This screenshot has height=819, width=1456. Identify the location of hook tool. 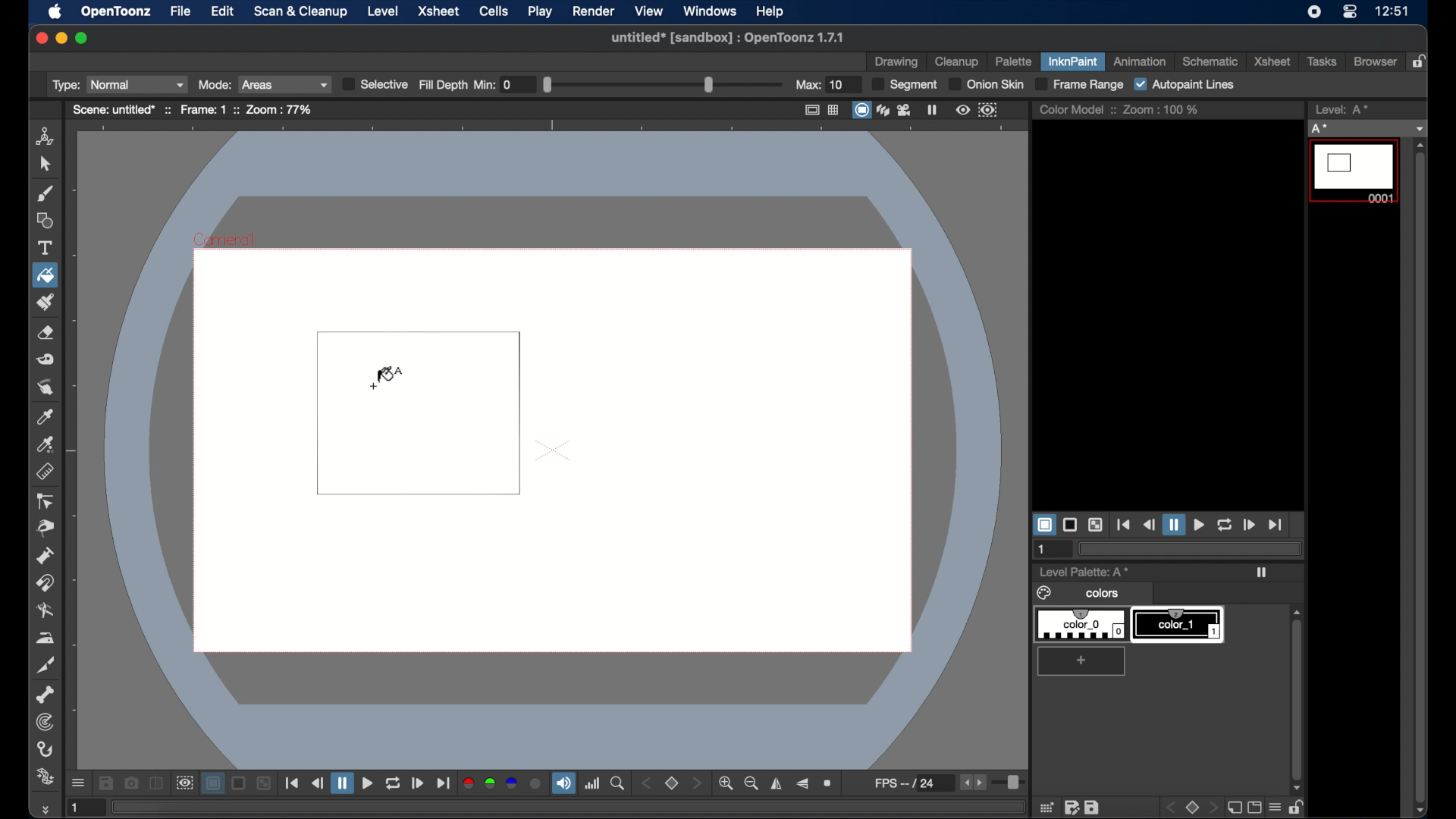
(45, 749).